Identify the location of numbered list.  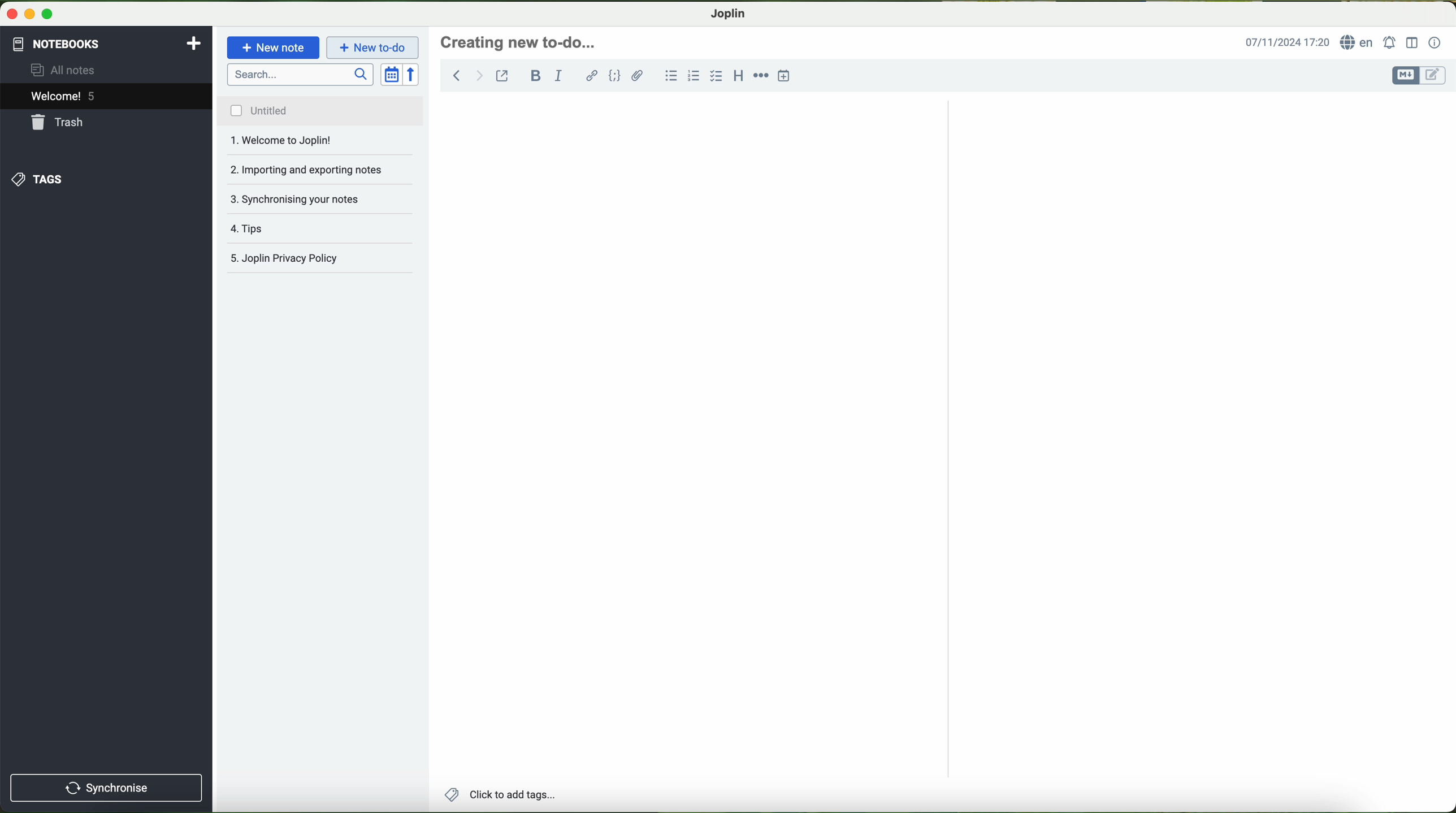
(692, 76).